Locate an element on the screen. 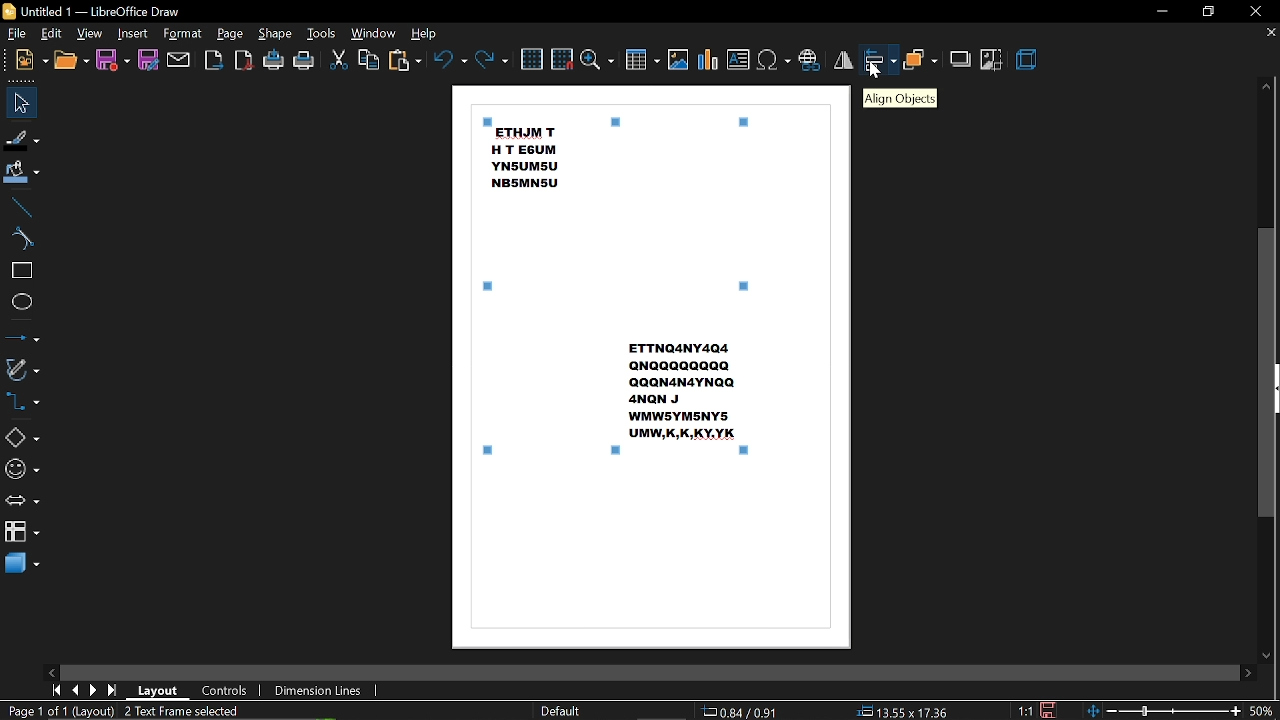  shape is located at coordinates (274, 34).